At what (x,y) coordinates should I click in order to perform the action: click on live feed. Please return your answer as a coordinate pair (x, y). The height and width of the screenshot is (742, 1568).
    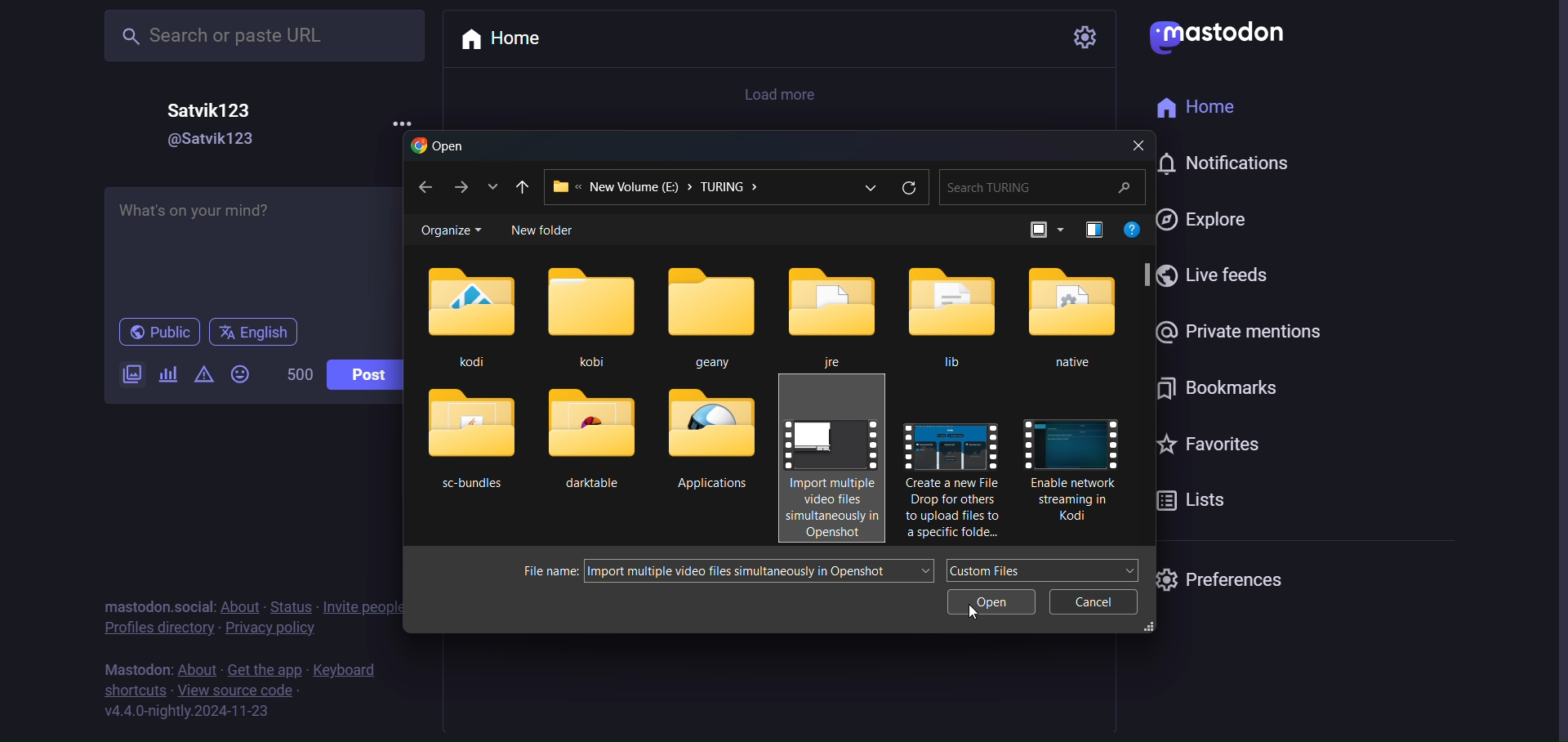
    Looking at the image, I should click on (1218, 276).